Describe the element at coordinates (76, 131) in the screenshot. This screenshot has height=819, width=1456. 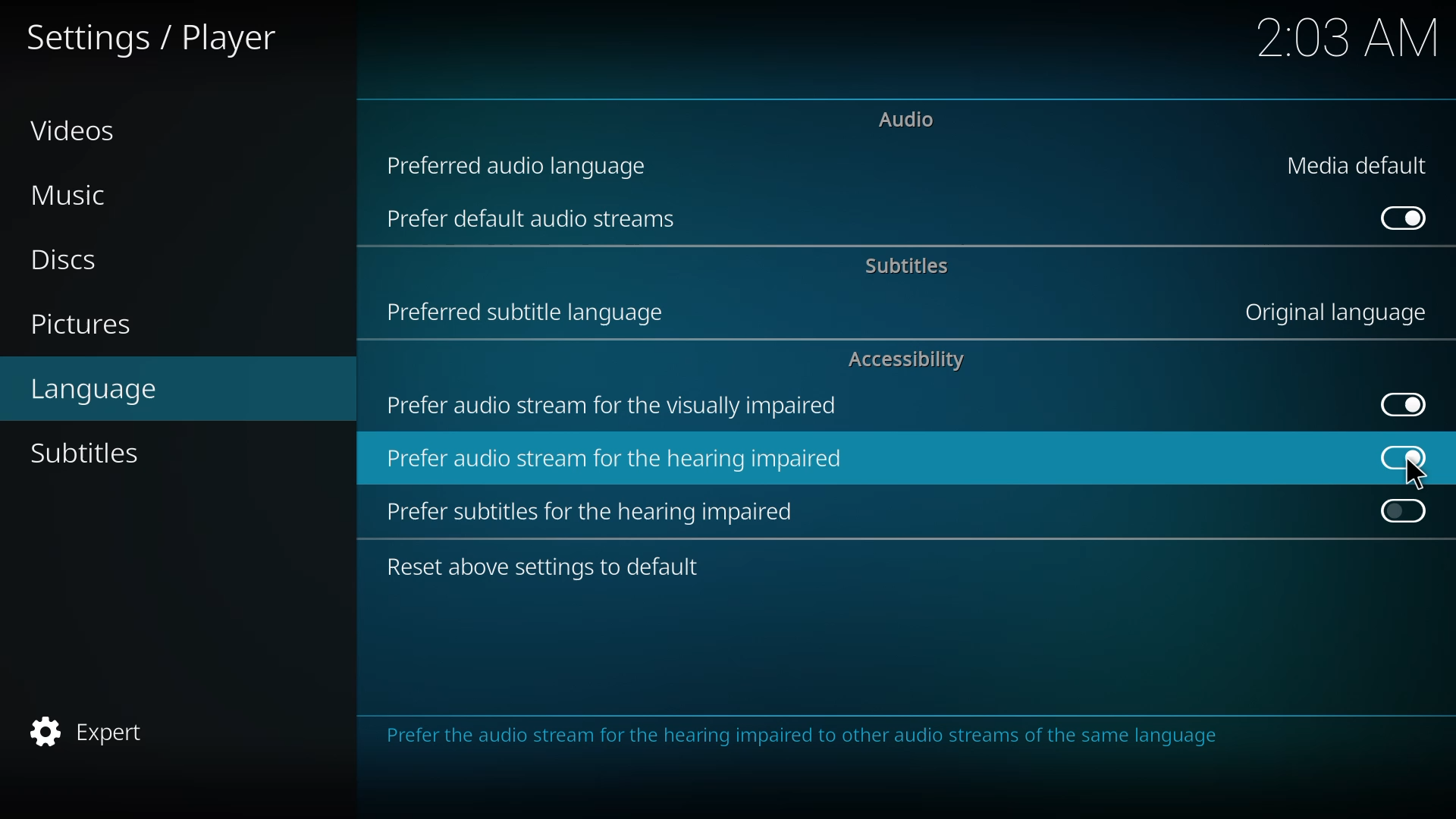
I see `videos` at that location.